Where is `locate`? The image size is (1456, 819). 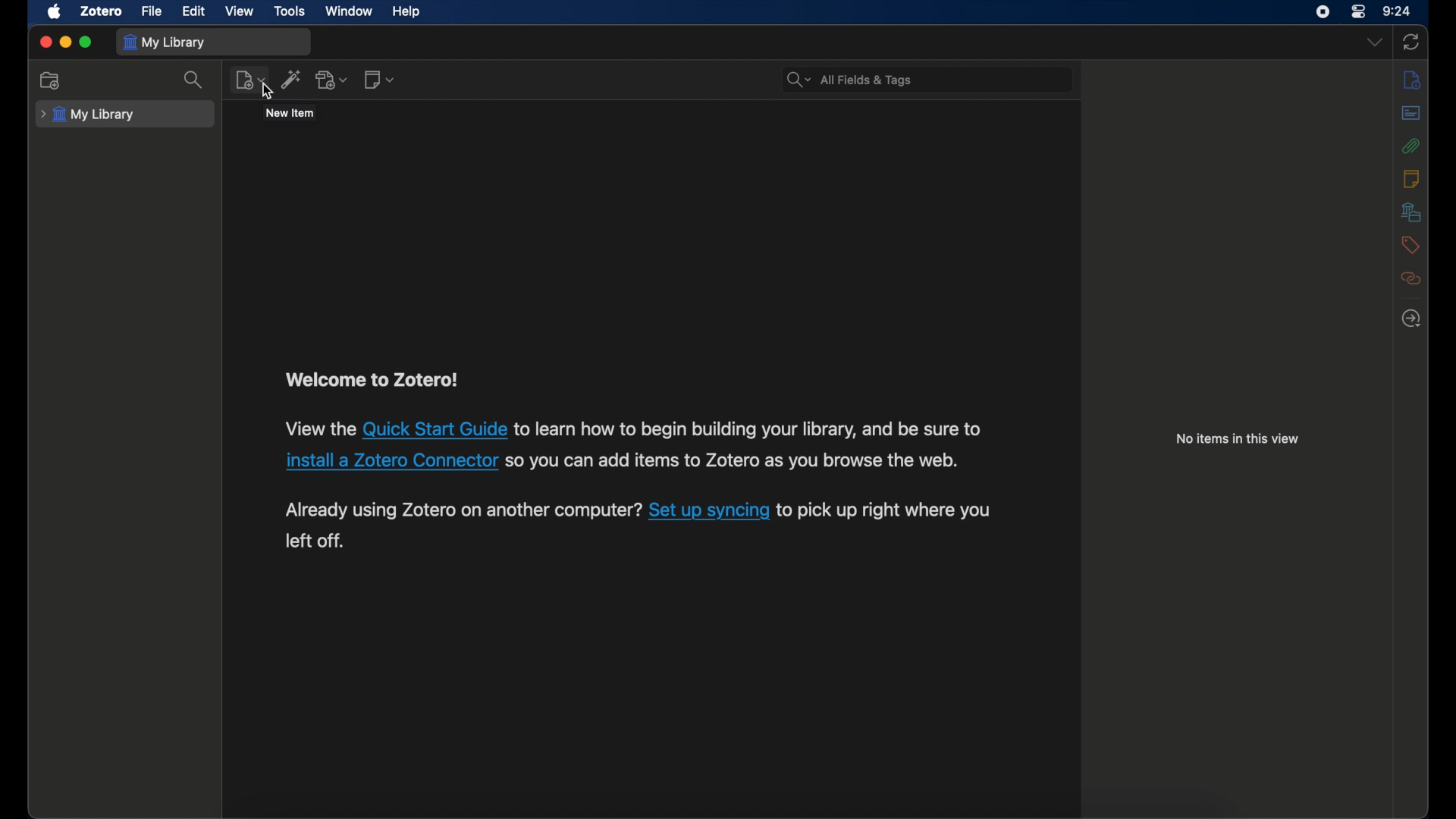
locate is located at coordinates (1411, 319).